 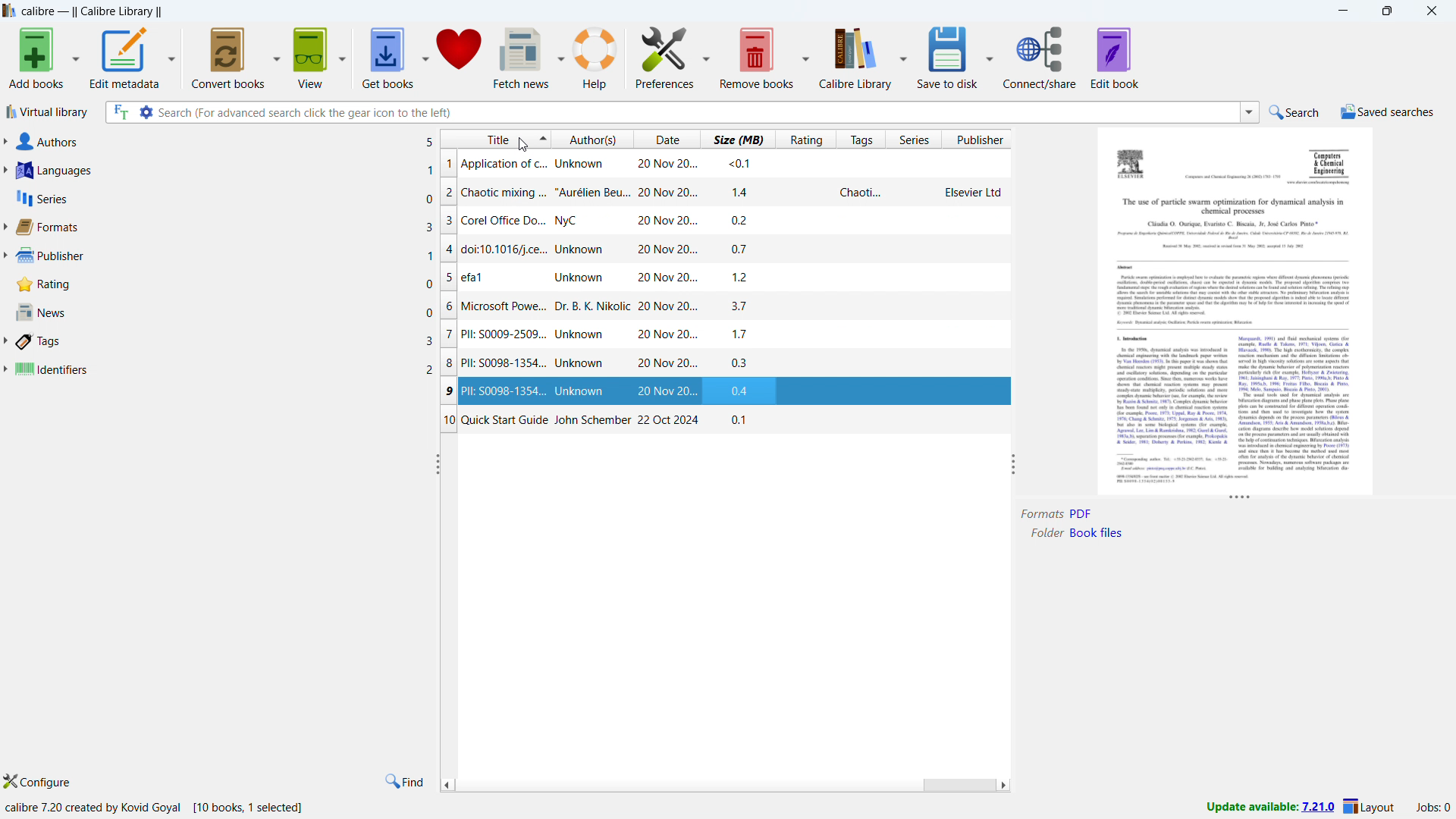 I want to click on save to disk options , so click(x=987, y=57).